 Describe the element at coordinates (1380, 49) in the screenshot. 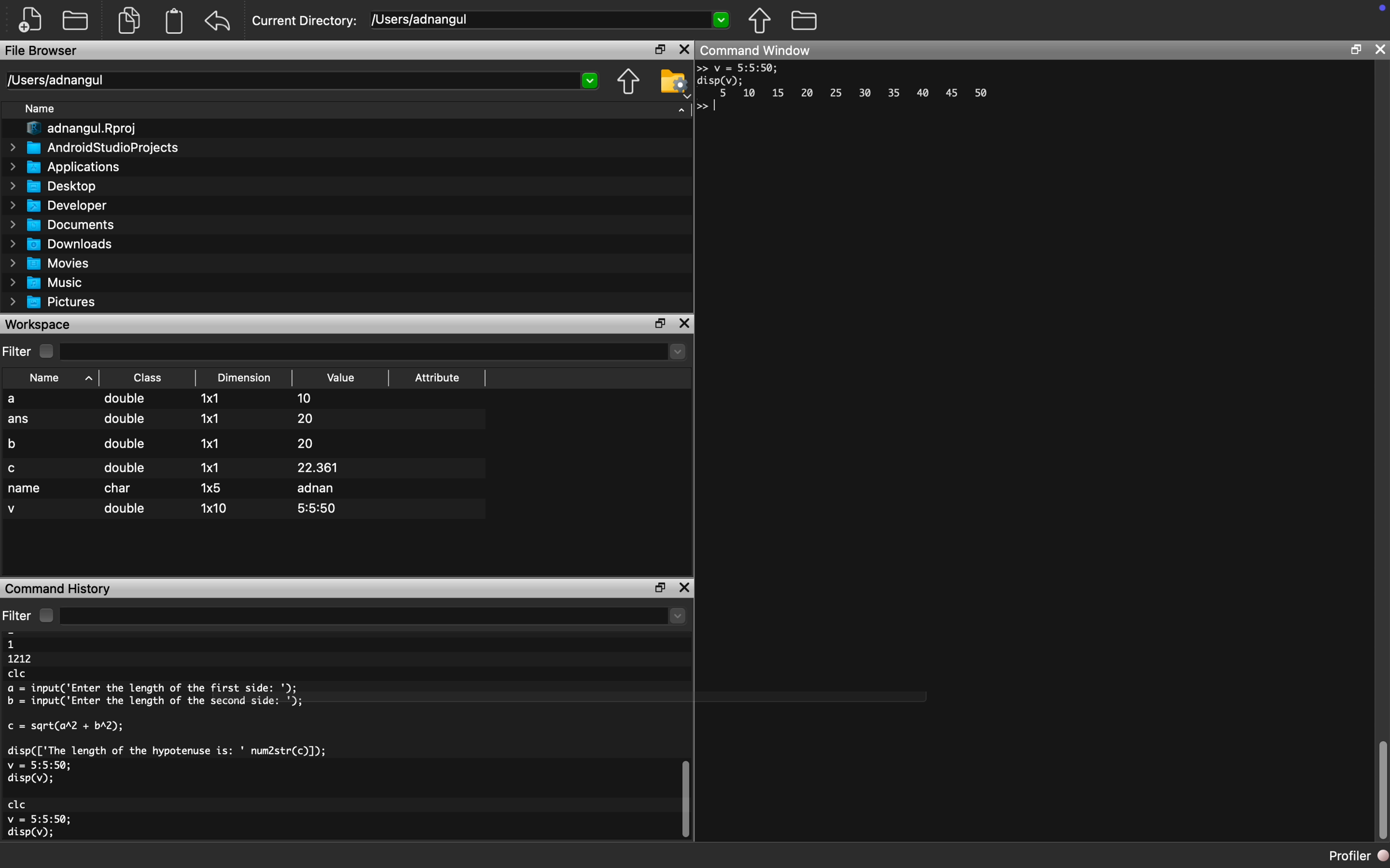

I see `close` at that location.